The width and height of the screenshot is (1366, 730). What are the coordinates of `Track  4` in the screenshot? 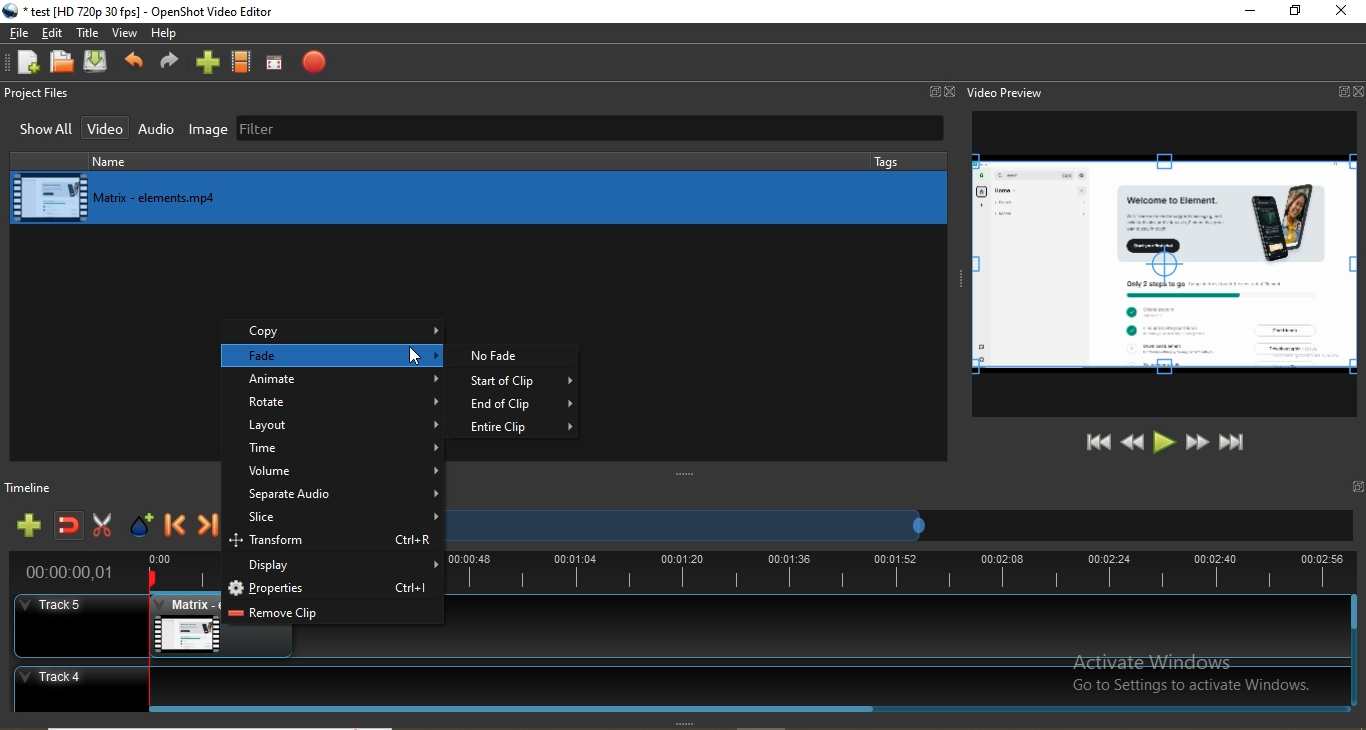 It's located at (671, 683).